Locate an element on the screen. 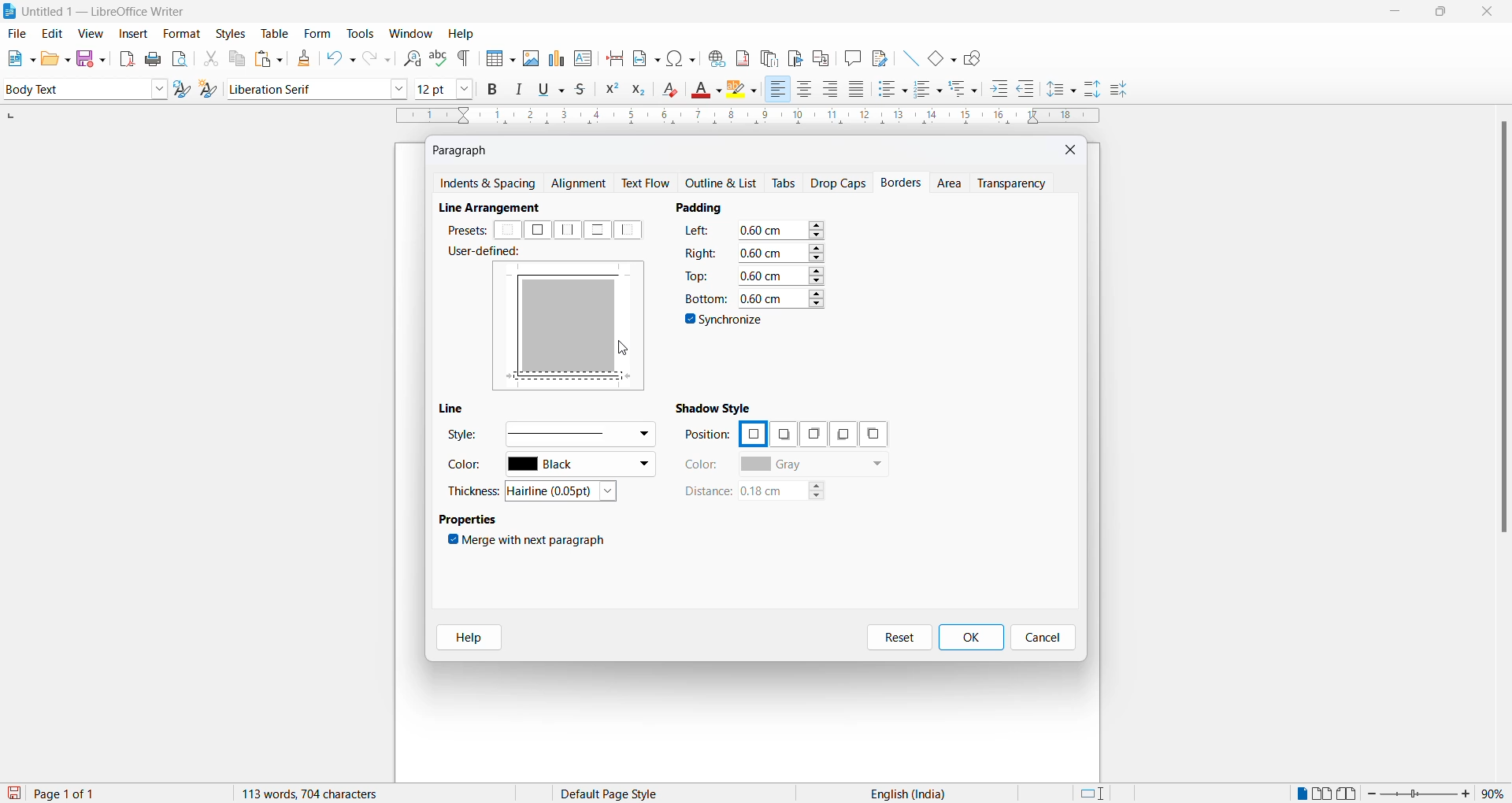 The height and width of the screenshot is (803, 1512). styles is located at coordinates (230, 32).